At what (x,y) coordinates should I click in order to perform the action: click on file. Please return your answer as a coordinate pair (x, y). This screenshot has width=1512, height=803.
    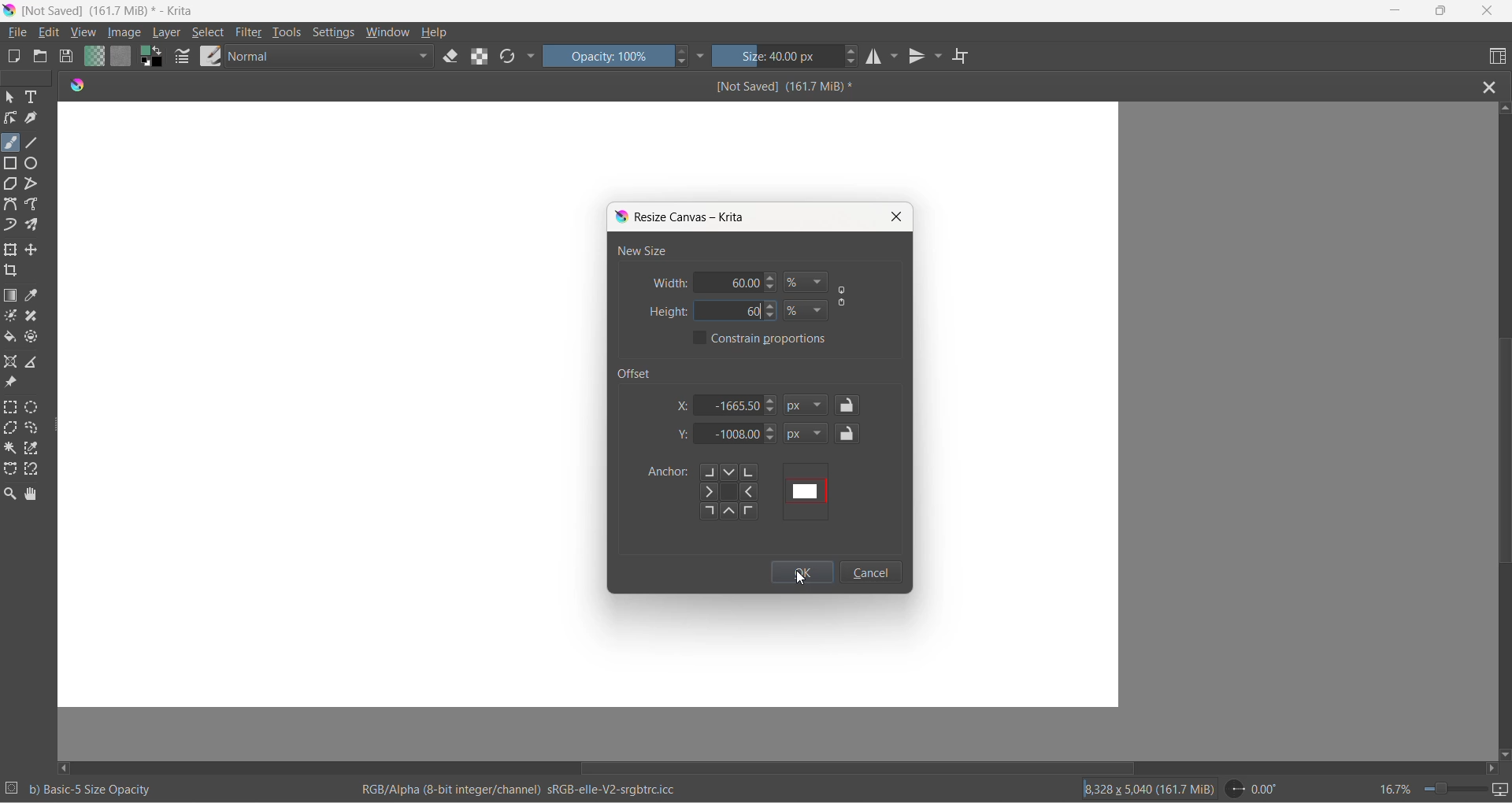
    Looking at the image, I should click on (20, 33).